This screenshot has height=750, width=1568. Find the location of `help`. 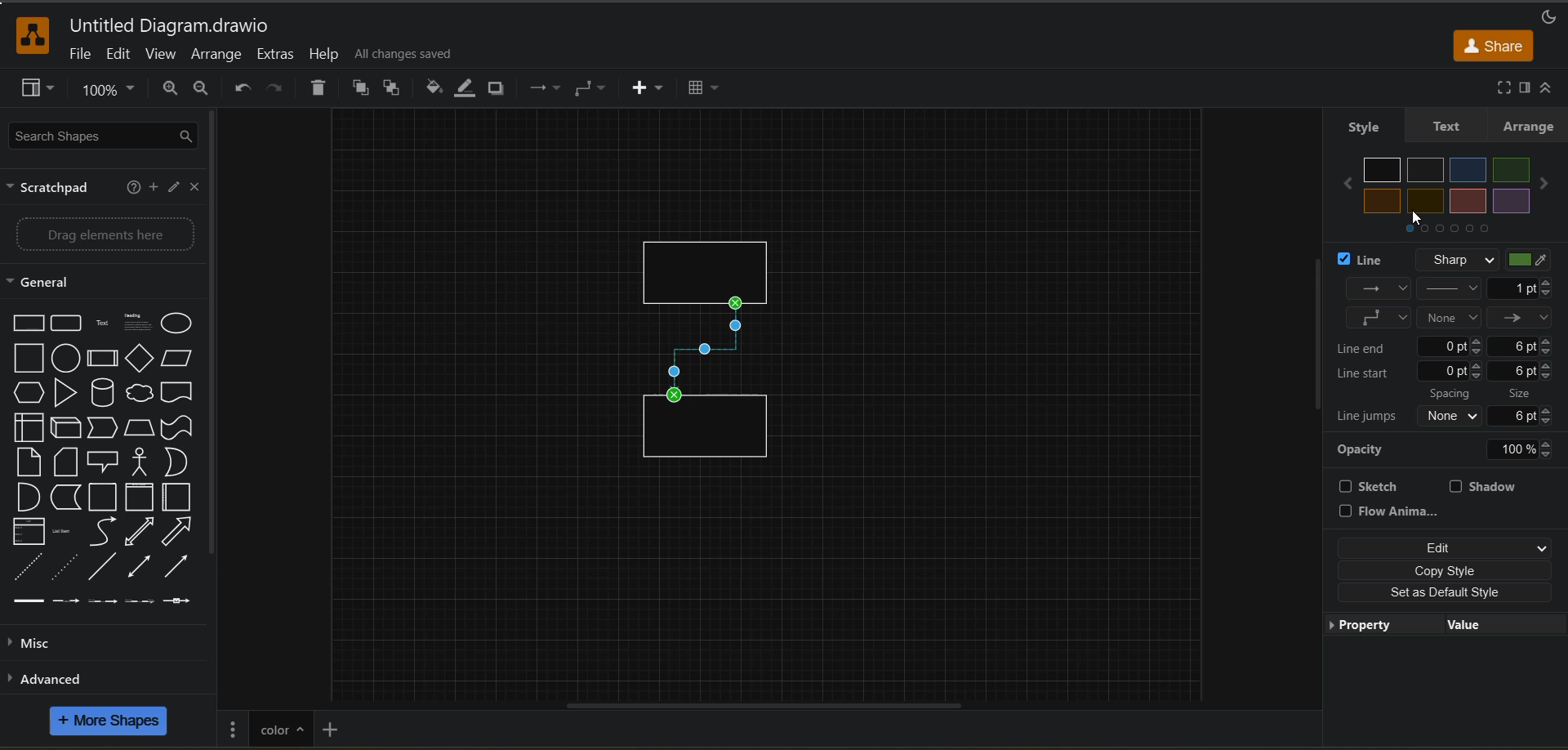

help is located at coordinates (324, 54).